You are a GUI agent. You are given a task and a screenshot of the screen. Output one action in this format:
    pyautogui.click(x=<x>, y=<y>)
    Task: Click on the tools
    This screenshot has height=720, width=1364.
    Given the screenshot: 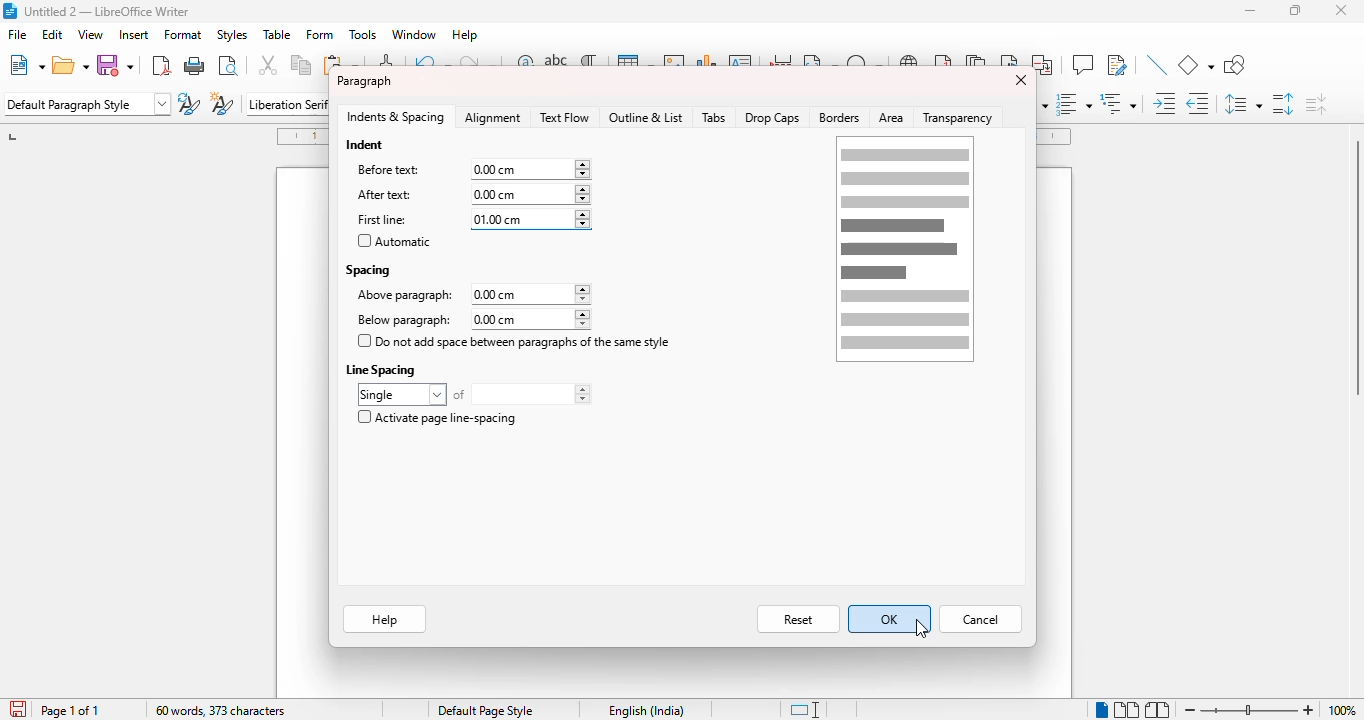 What is the action you would take?
    pyautogui.click(x=362, y=35)
    